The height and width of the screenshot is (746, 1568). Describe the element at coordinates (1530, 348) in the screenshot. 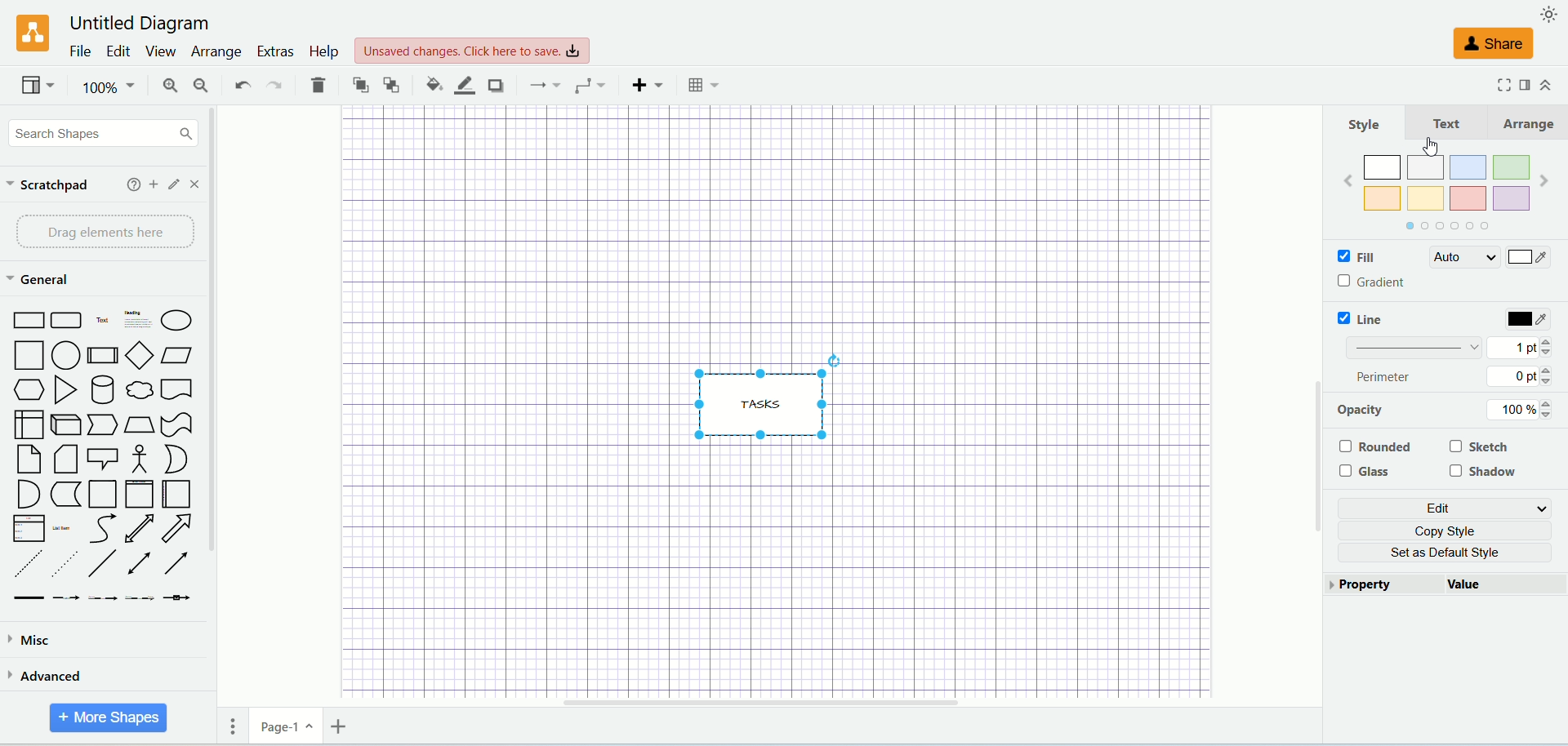

I see `1 pt` at that location.